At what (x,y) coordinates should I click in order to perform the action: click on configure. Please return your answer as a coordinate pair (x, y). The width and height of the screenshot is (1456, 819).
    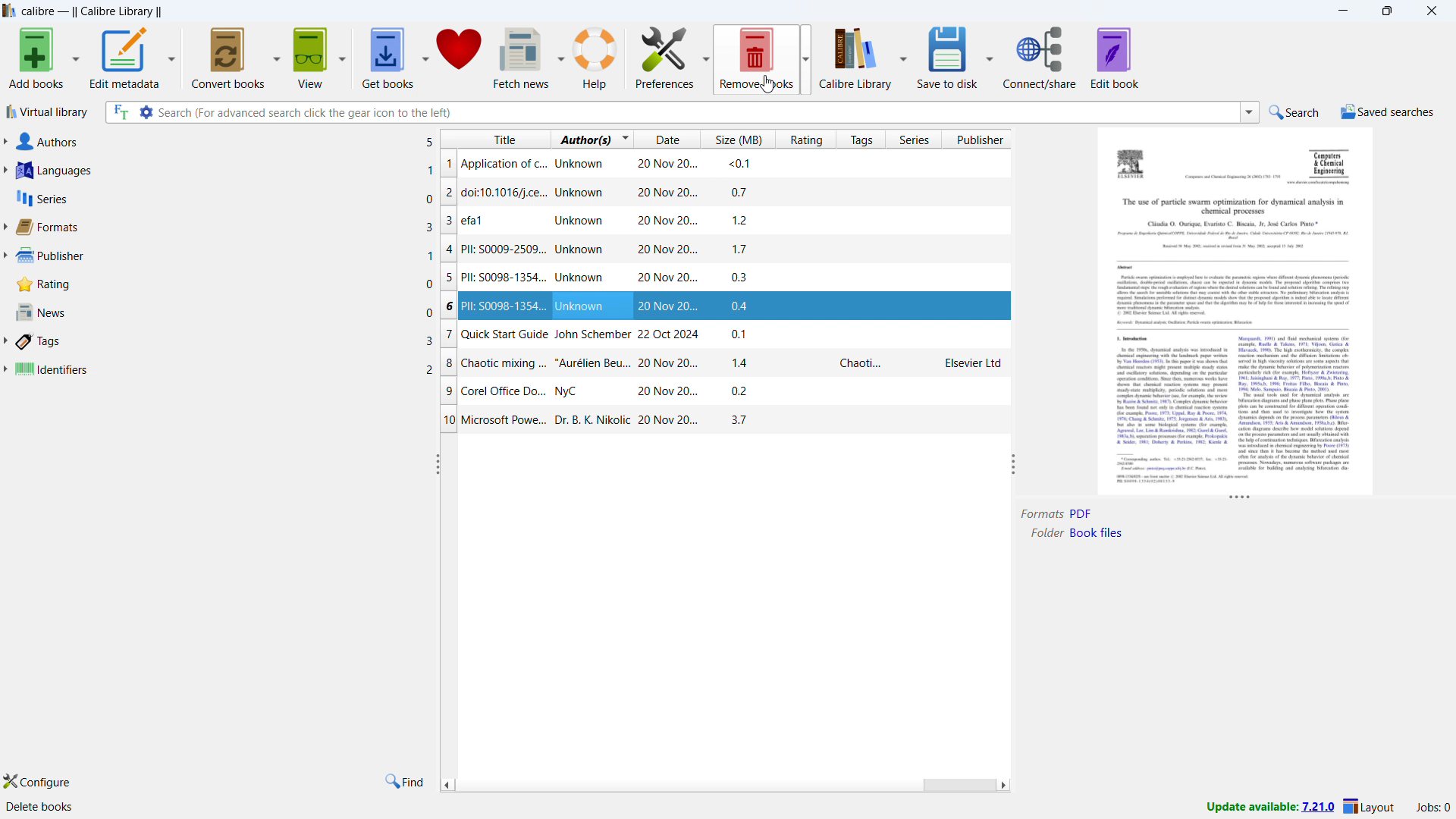
    Looking at the image, I should click on (36, 780).